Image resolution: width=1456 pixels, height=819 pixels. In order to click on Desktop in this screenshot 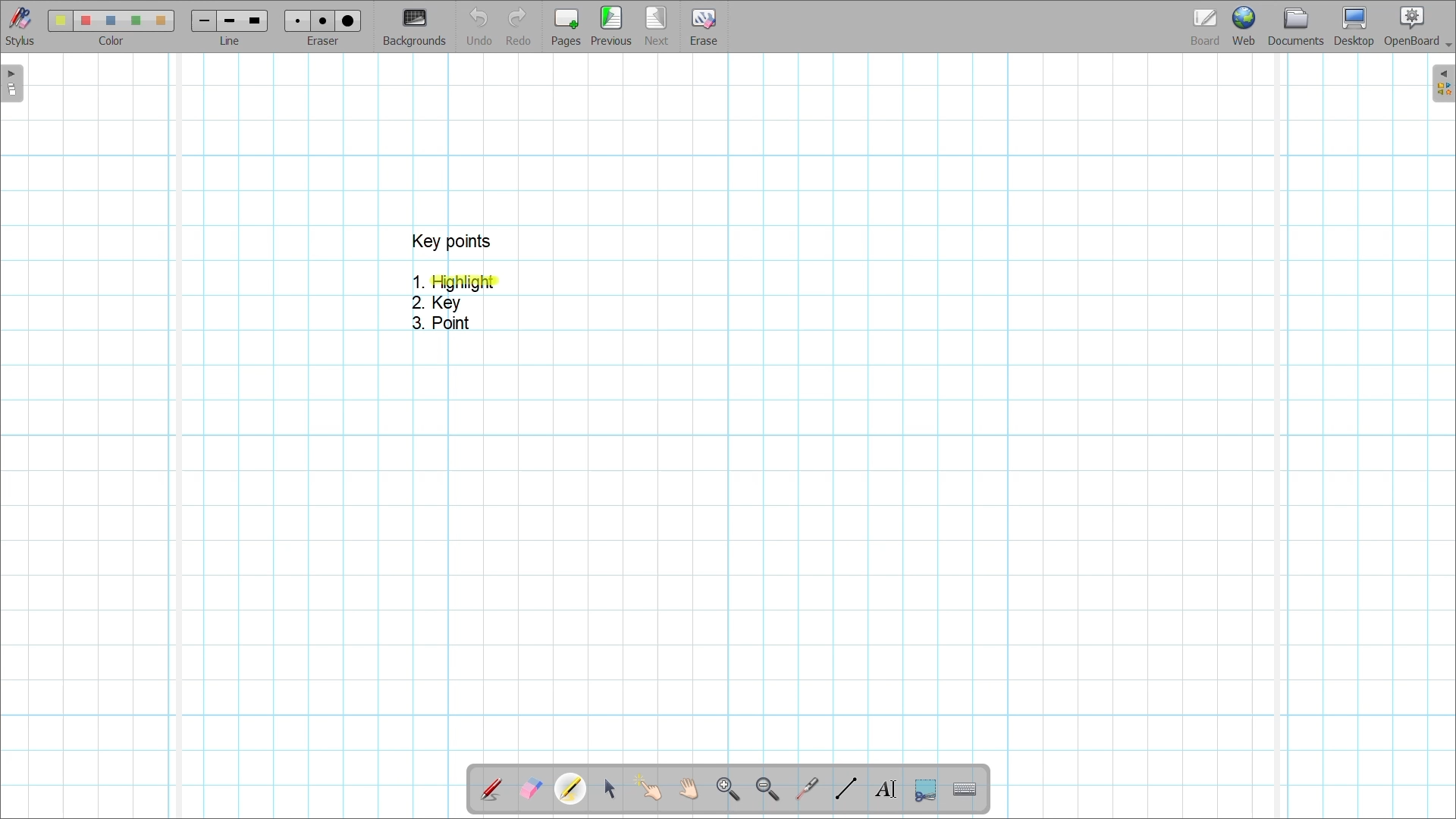, I will do `click(1354, 27)`.